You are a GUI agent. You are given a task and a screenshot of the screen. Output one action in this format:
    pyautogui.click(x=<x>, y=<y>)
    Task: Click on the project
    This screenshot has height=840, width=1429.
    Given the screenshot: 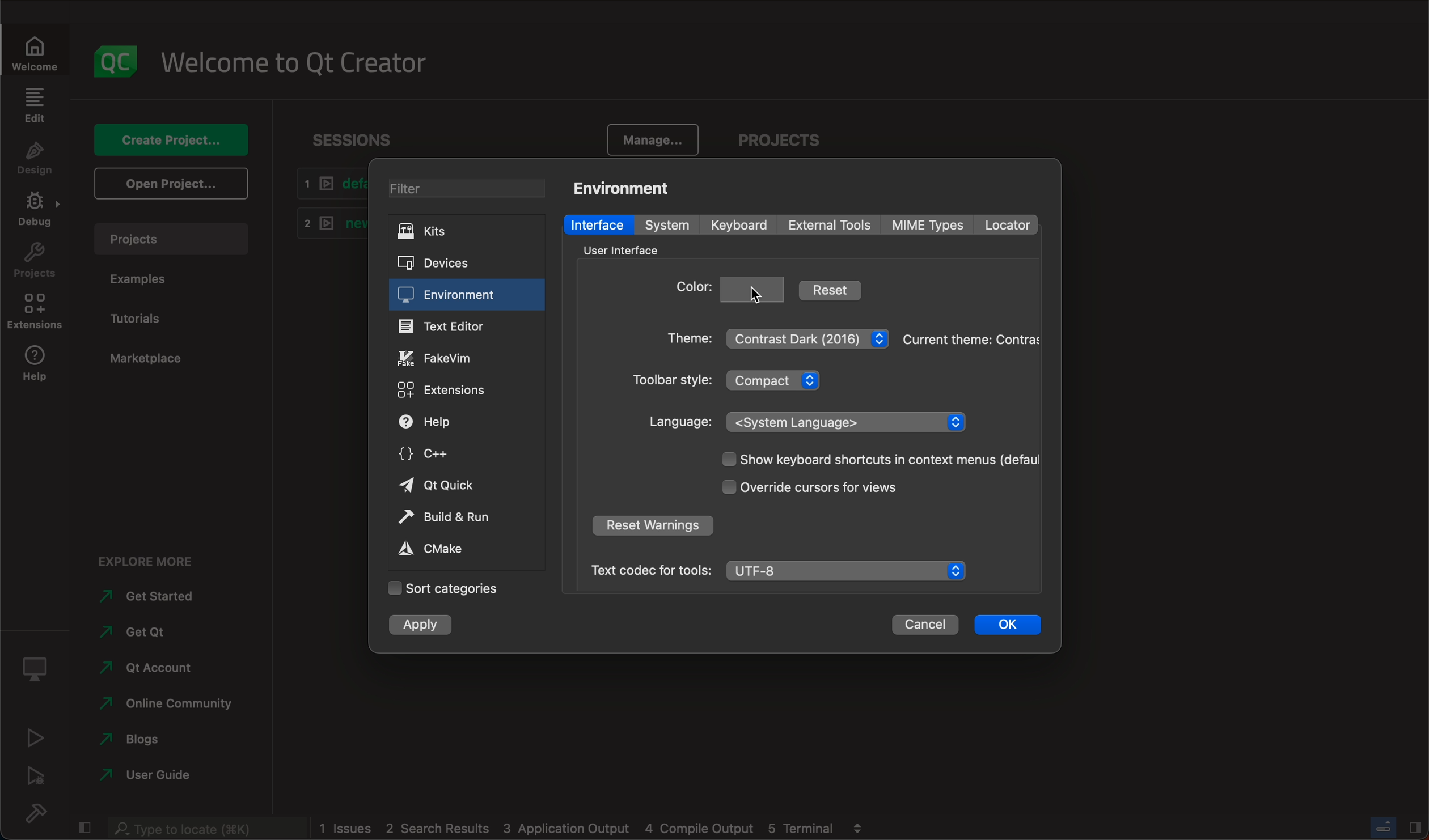 What is the action you would take?
    pyautogui.click(x=170, y=236)
    